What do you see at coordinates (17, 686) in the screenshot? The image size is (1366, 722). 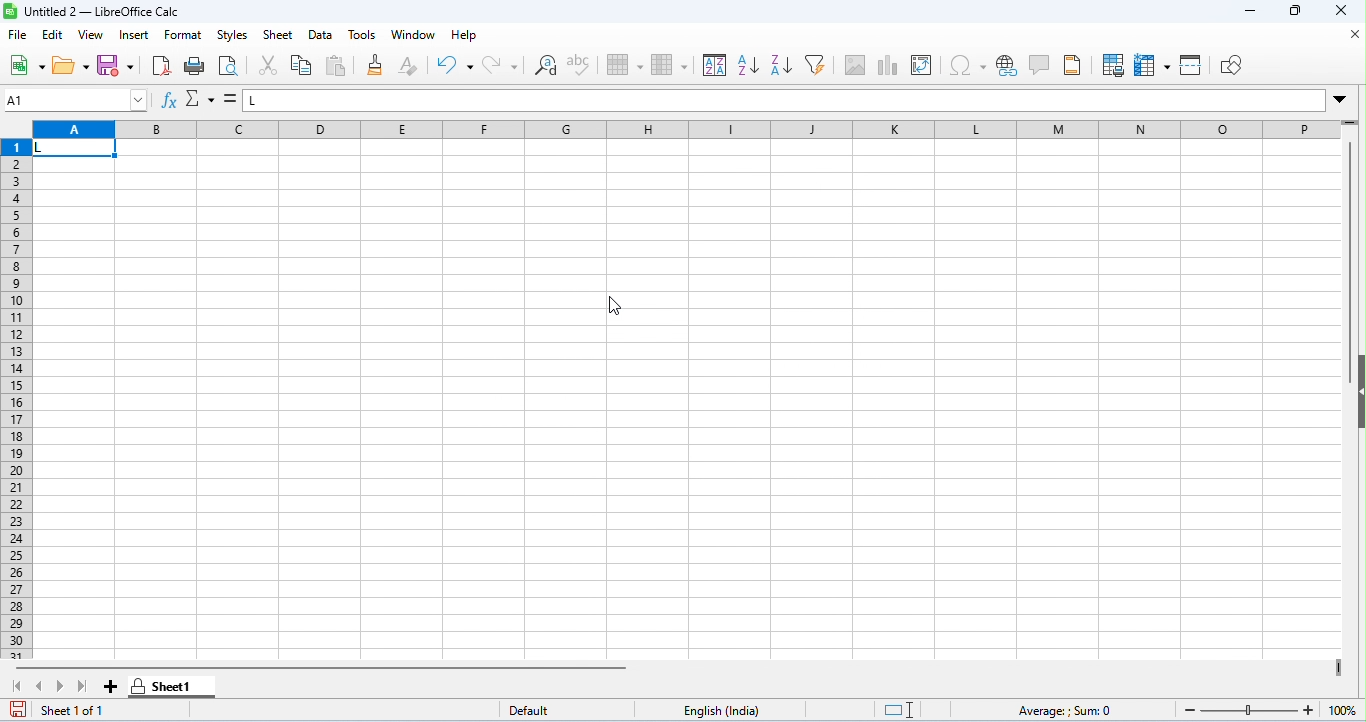 I see `first sheet` at bounding box center [17, 686].